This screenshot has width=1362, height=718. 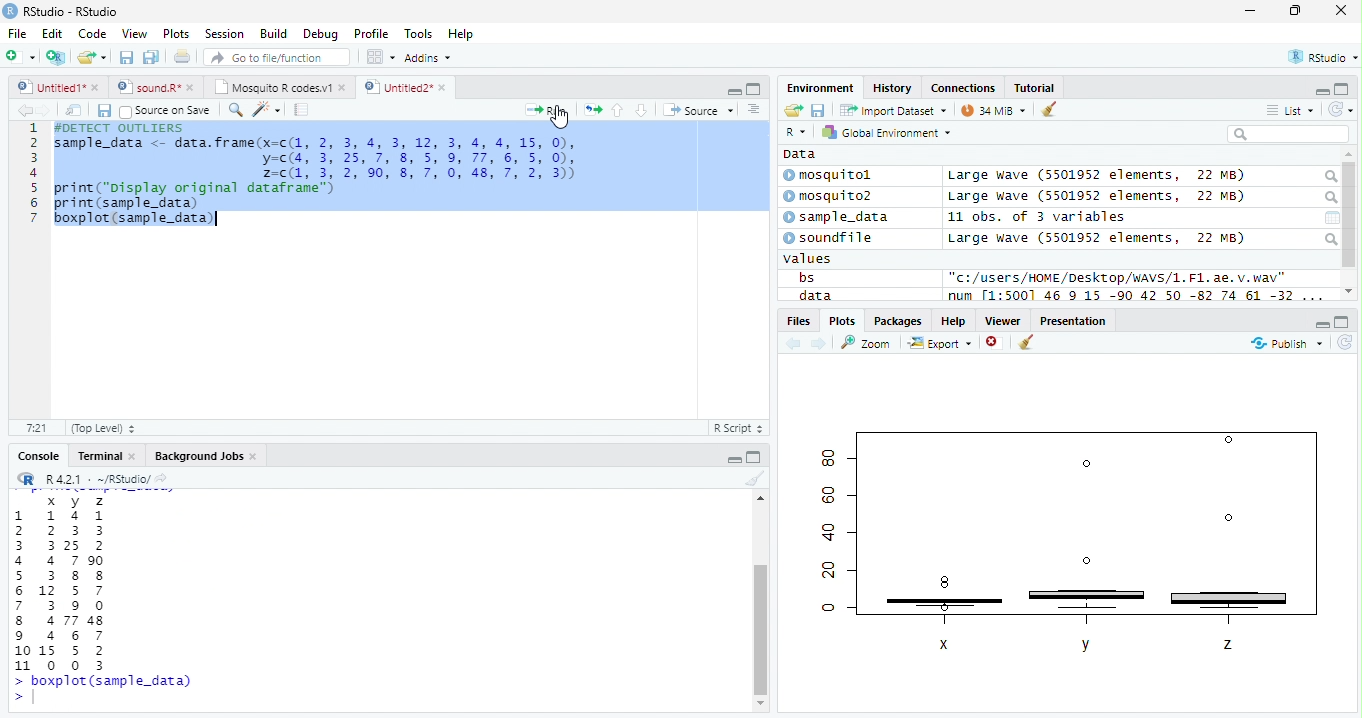 I want to click on minimize, so click(x=732, y=456).